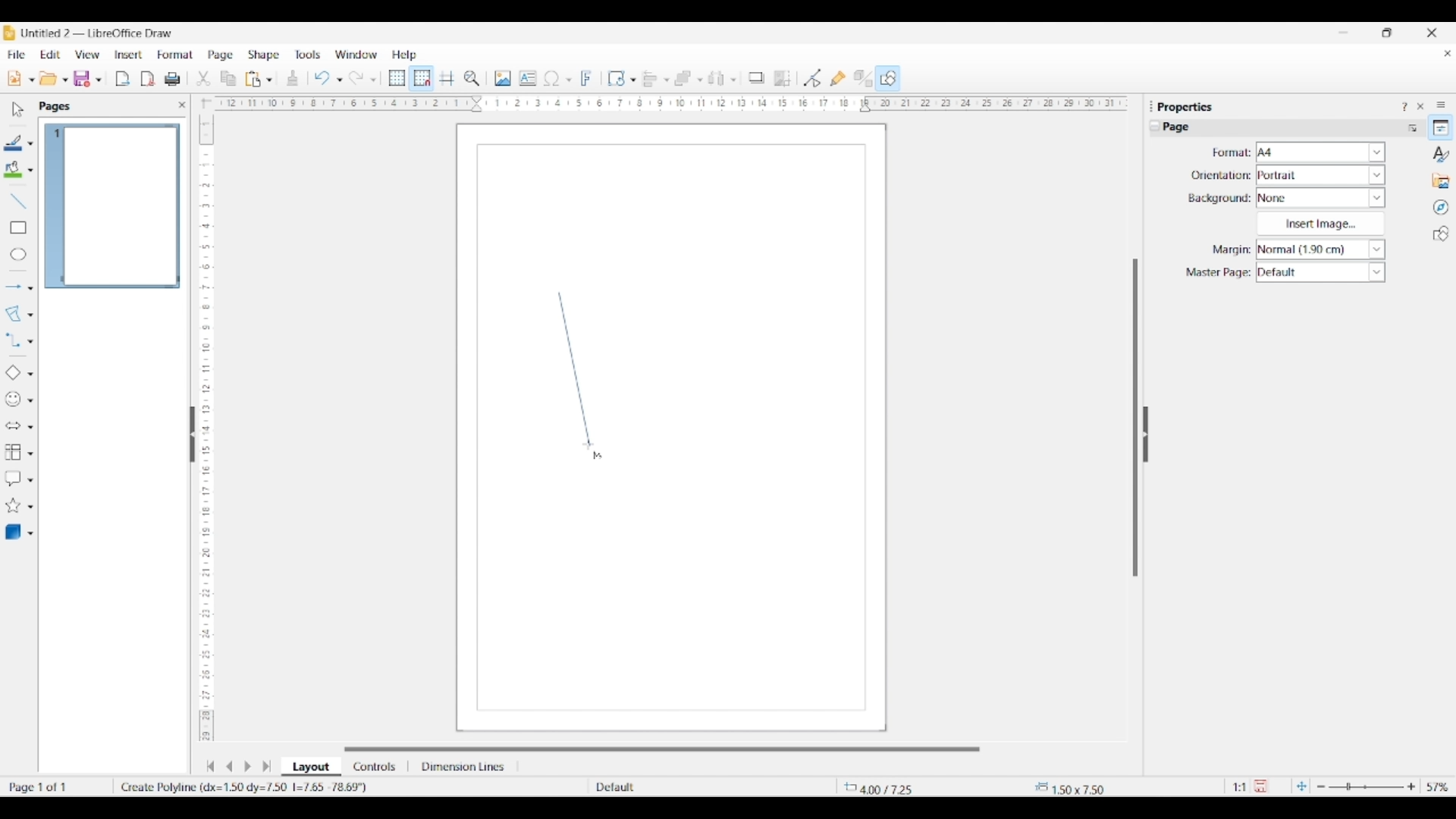 The width and height of the screenshot is (1456, 819). Describe the element at coordinates (397, 79) in the screenshot. I see `Display grid` at that location.